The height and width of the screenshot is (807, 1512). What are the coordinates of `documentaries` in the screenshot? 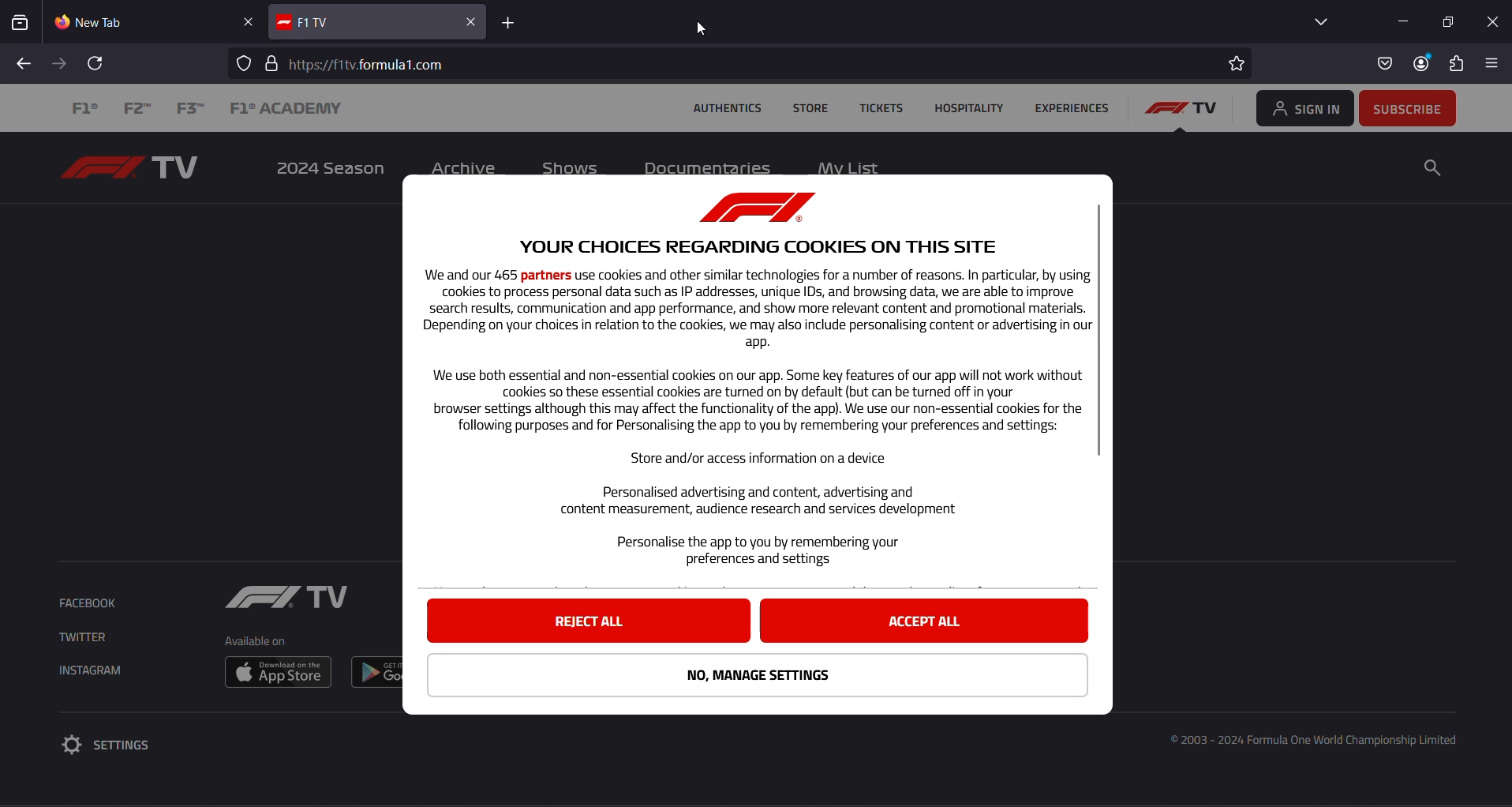 It's located at (710, 167).